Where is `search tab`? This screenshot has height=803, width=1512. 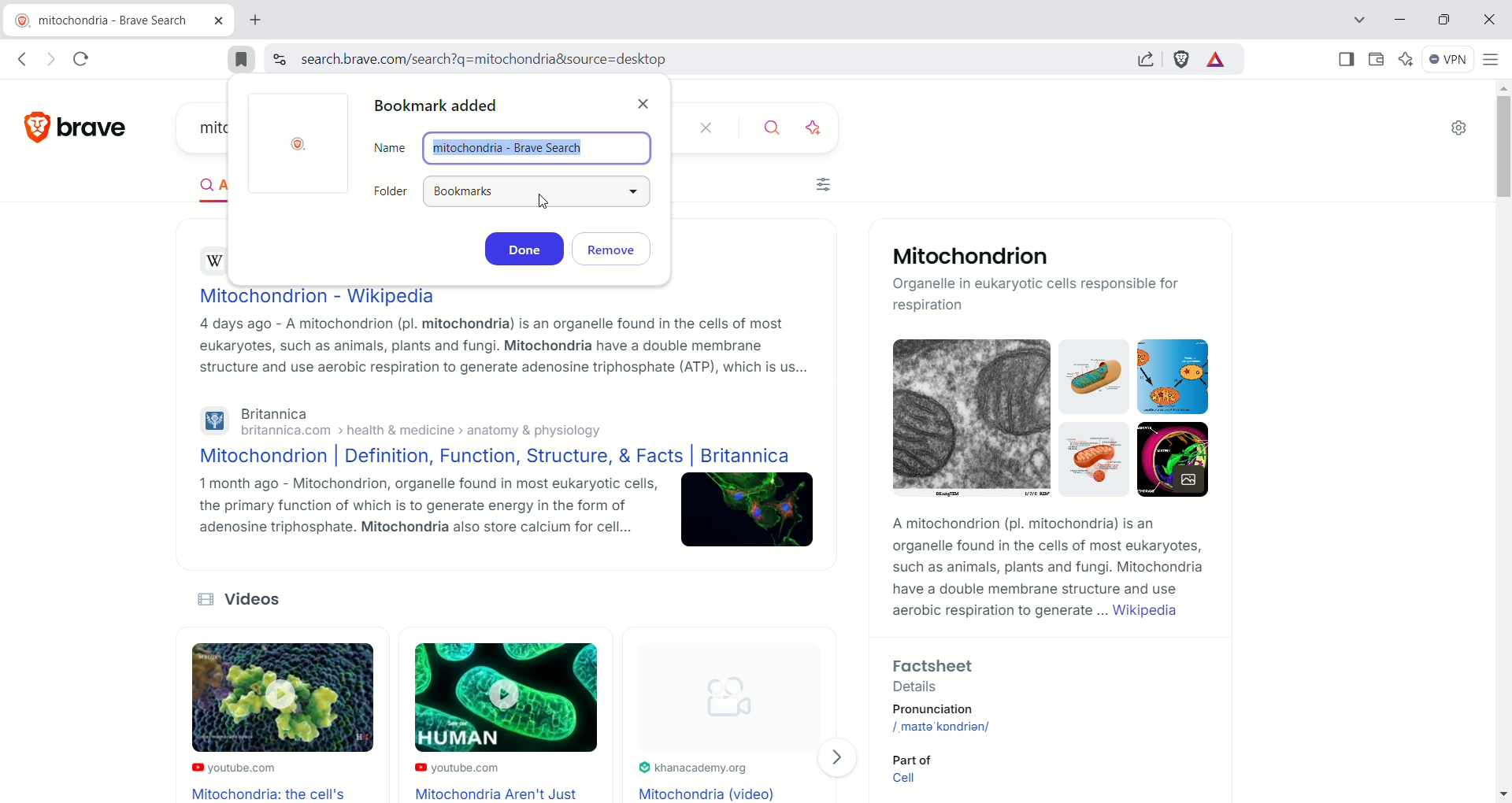
search tab is located at coordinates (1353, 22).